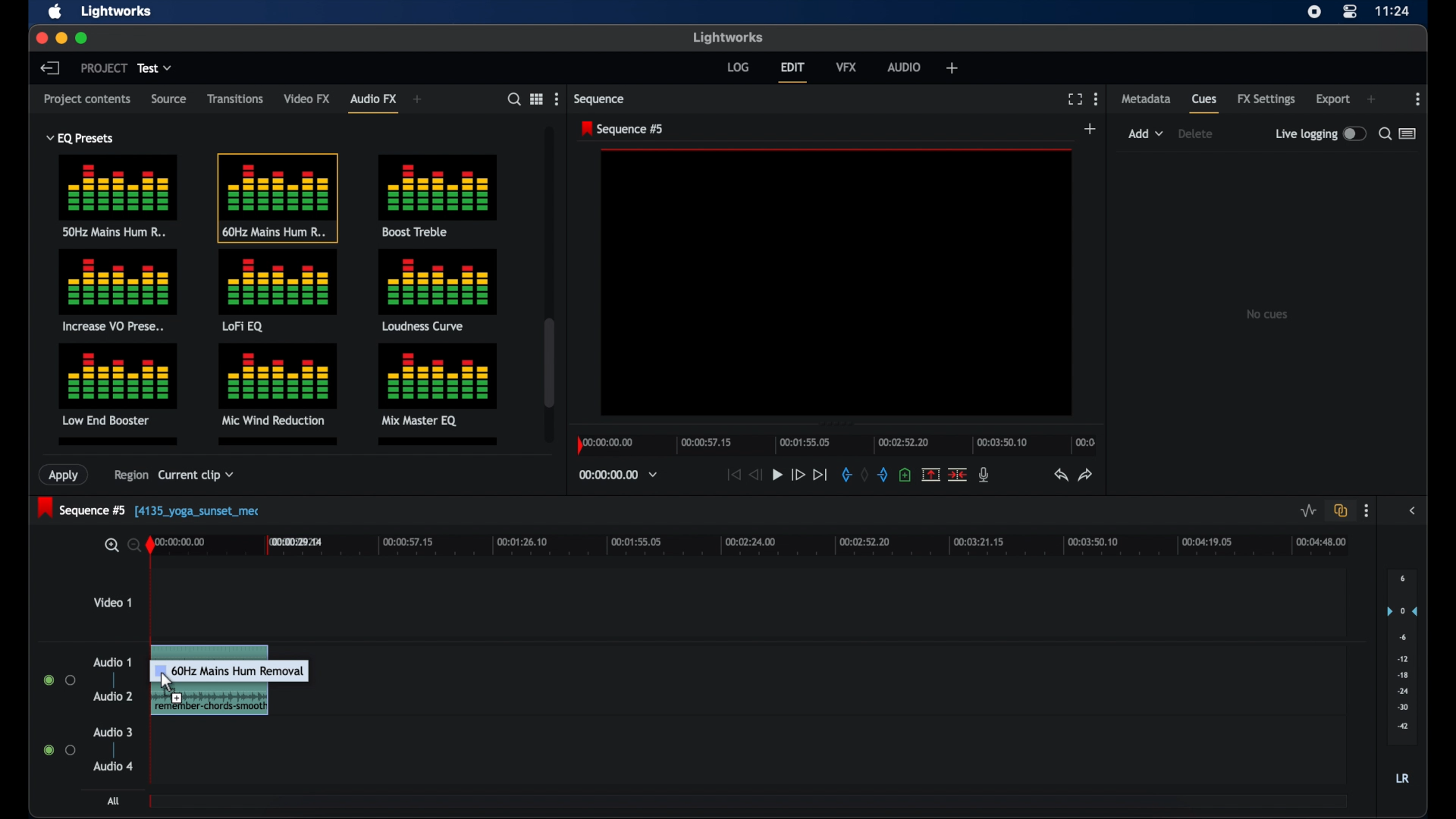  Describe the element at coordinates (236, 684) in the screenshot. I see `drag cursor` at that location.